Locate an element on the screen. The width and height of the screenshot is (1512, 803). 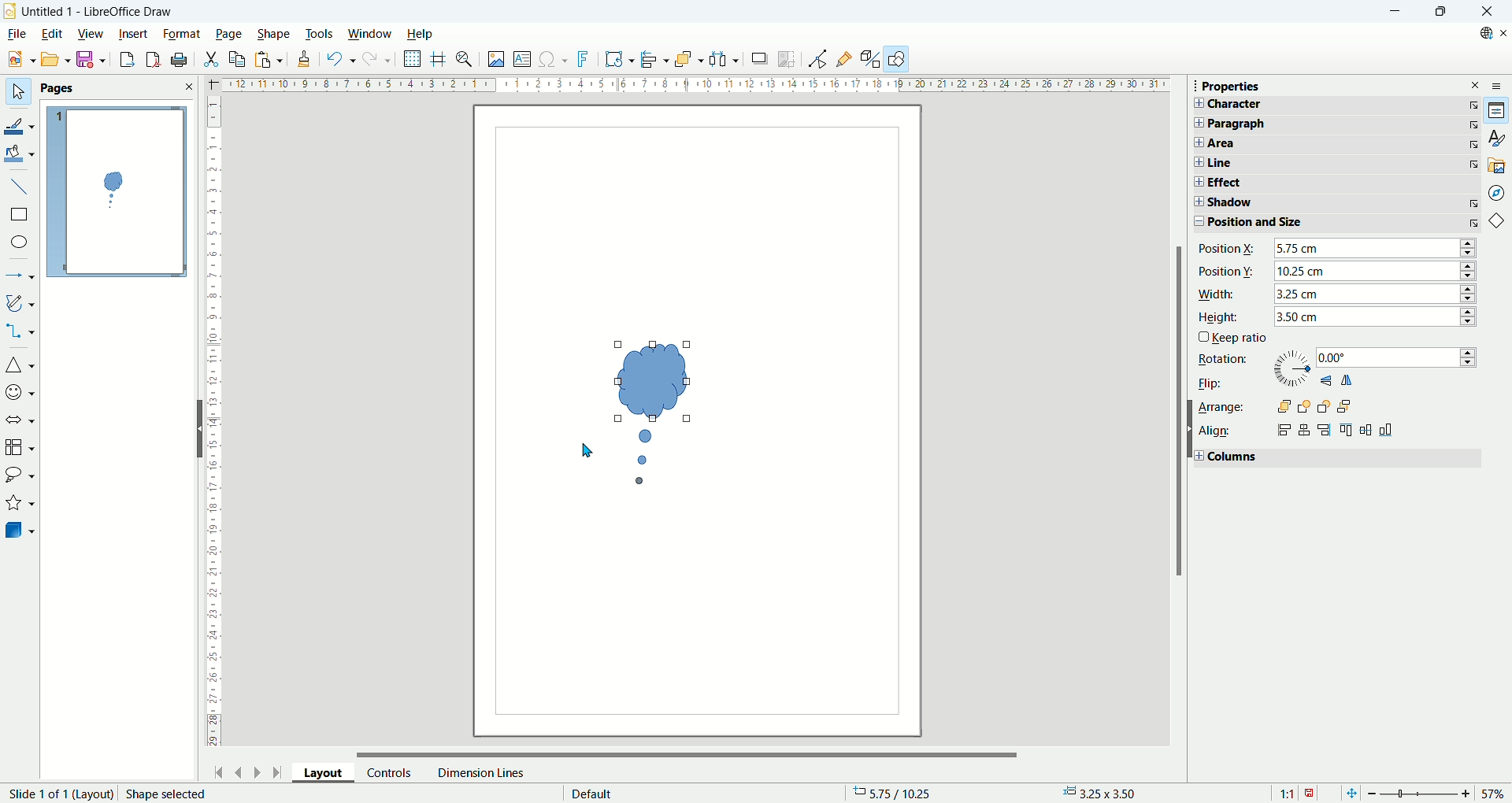
Maximize is located at coordinates (1440, 12).